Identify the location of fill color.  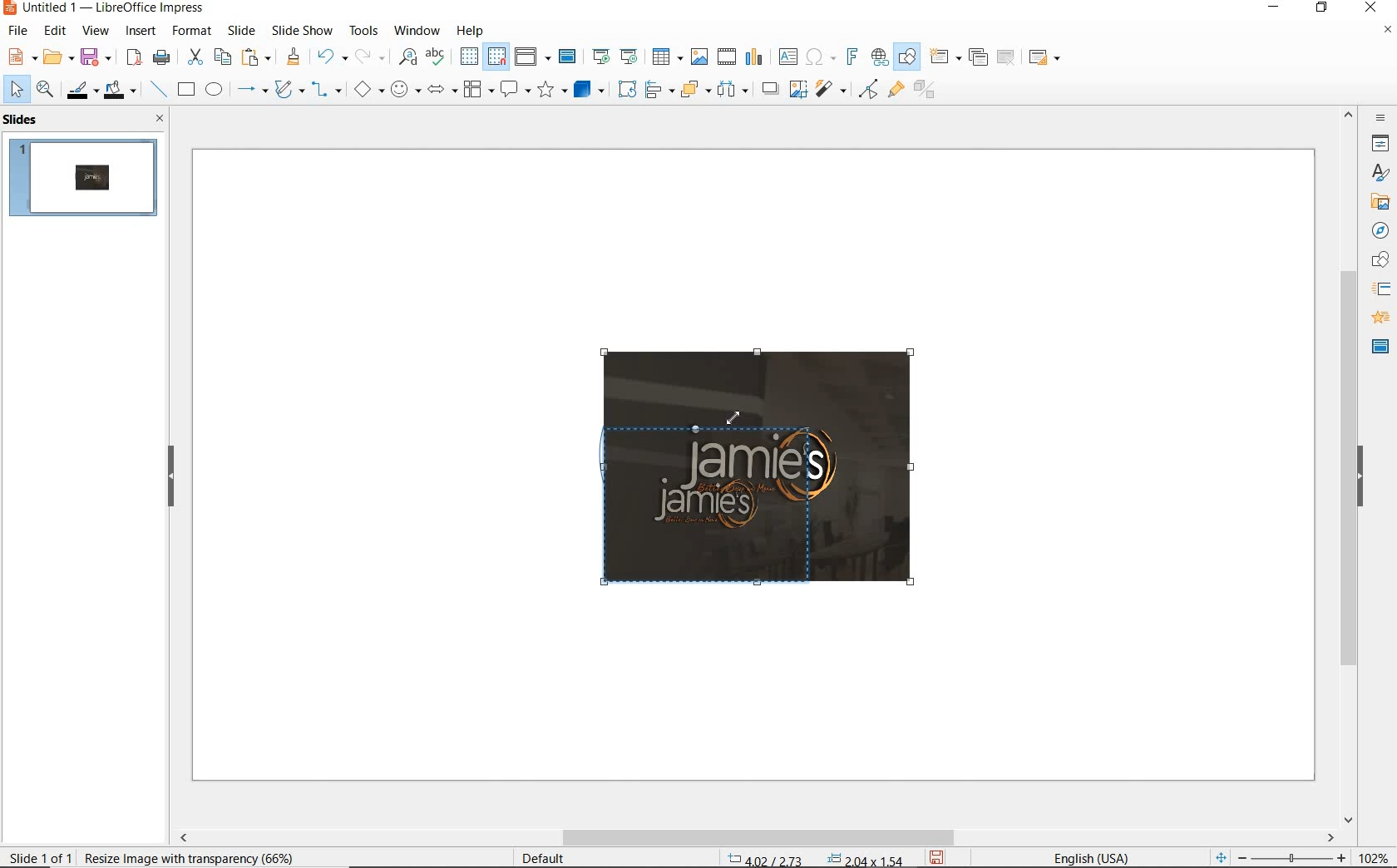
(122, 91).